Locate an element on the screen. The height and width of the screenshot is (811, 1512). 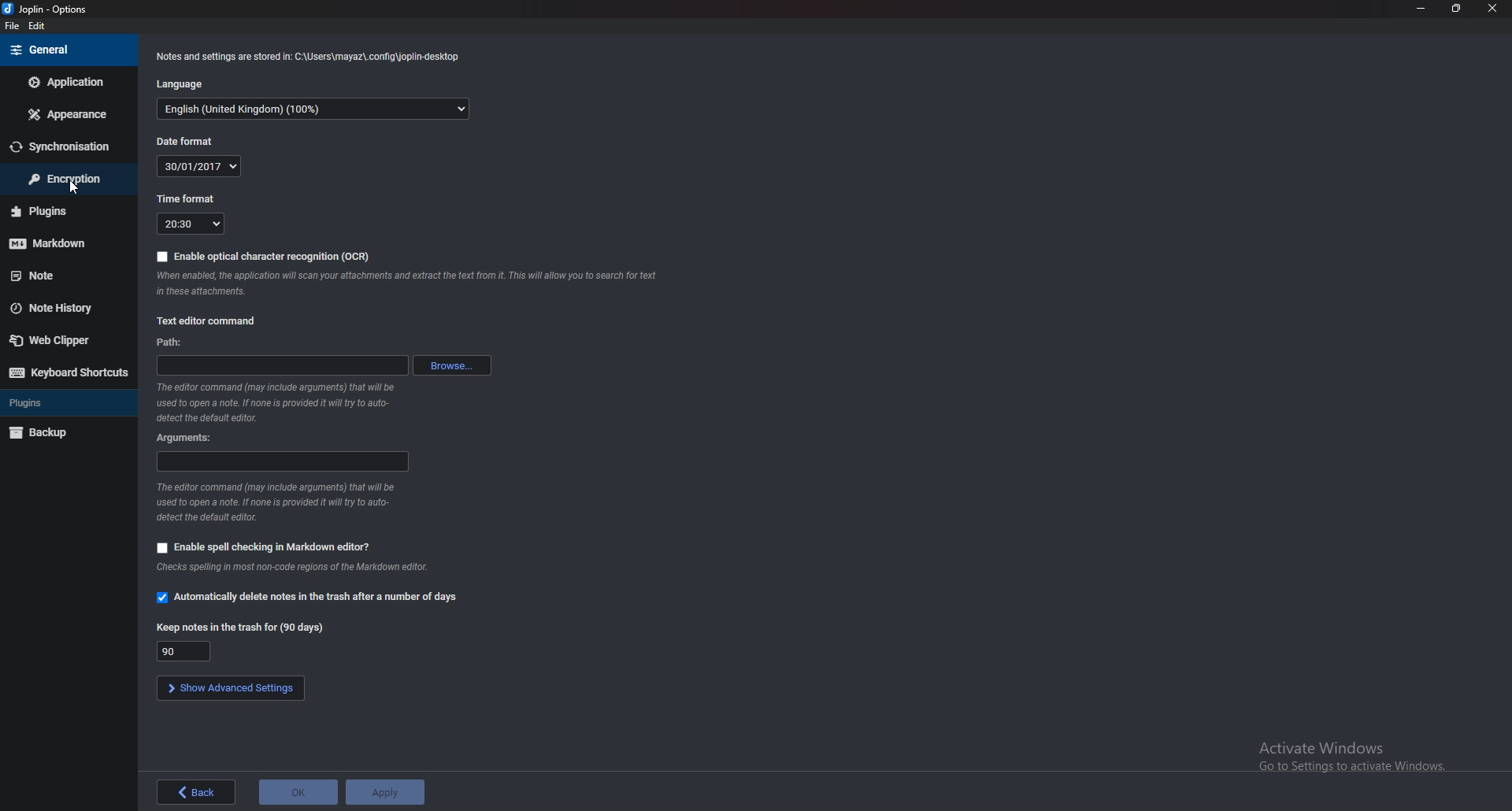
date format is located at coordinates (200, 166).